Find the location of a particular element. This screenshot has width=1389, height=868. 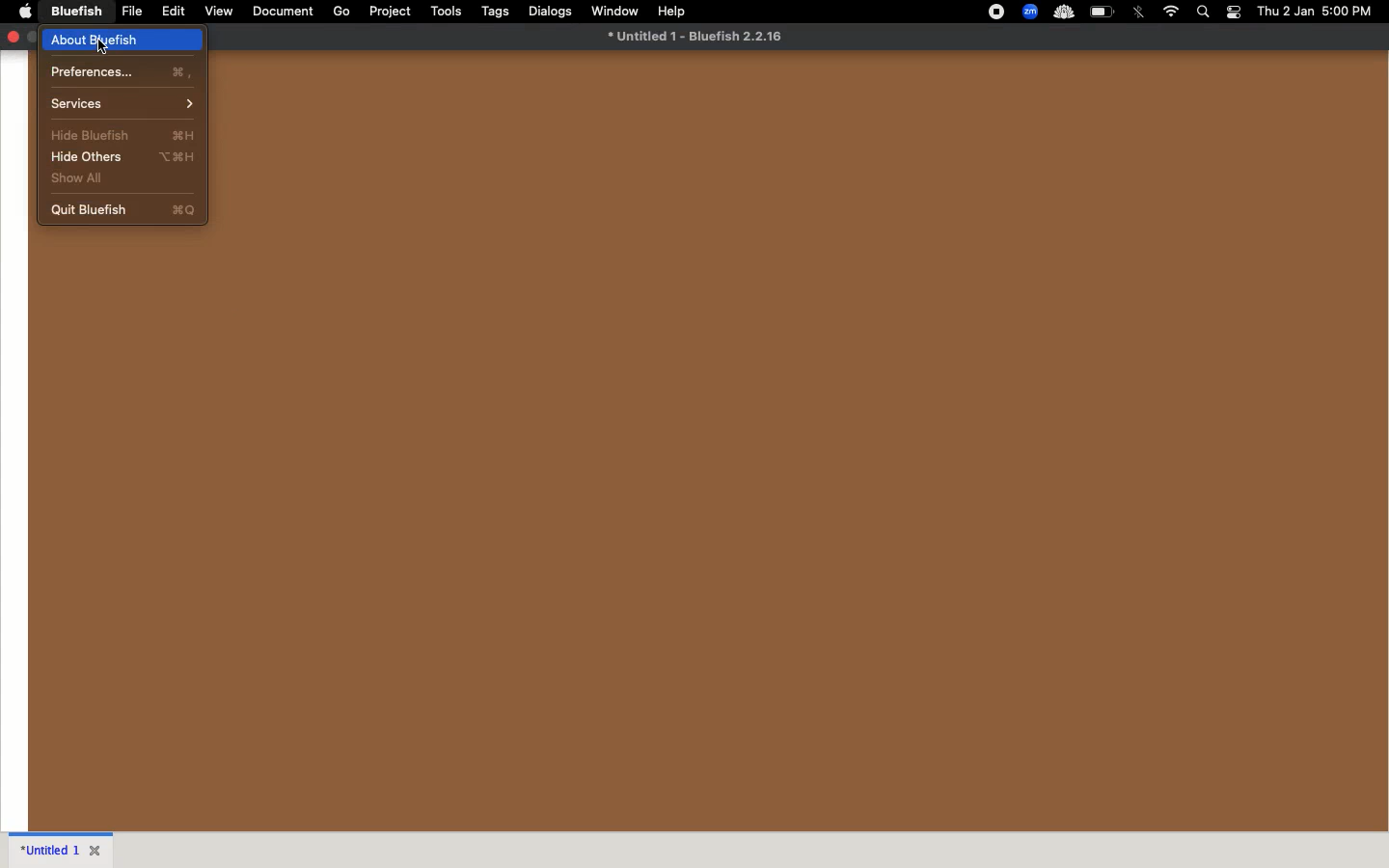

about bluefish is located at coordinates (98, 40).